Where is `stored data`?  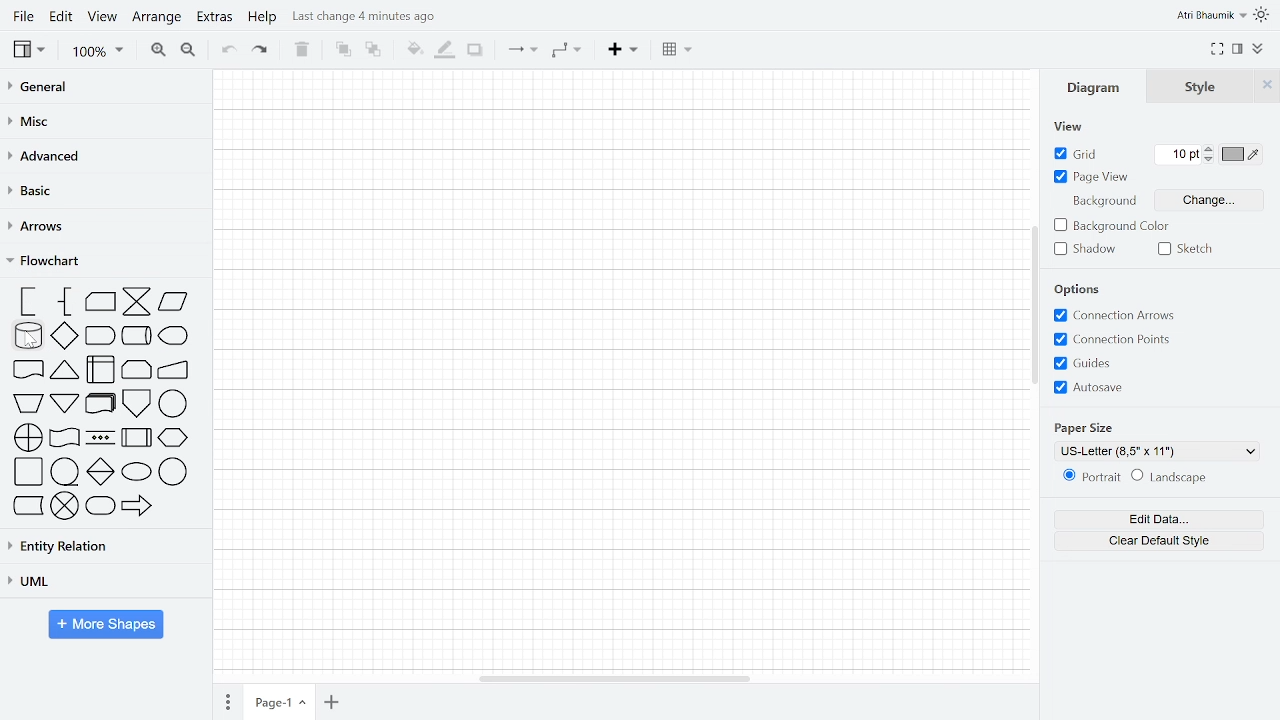 stored data is located at coordinates (26, 507).